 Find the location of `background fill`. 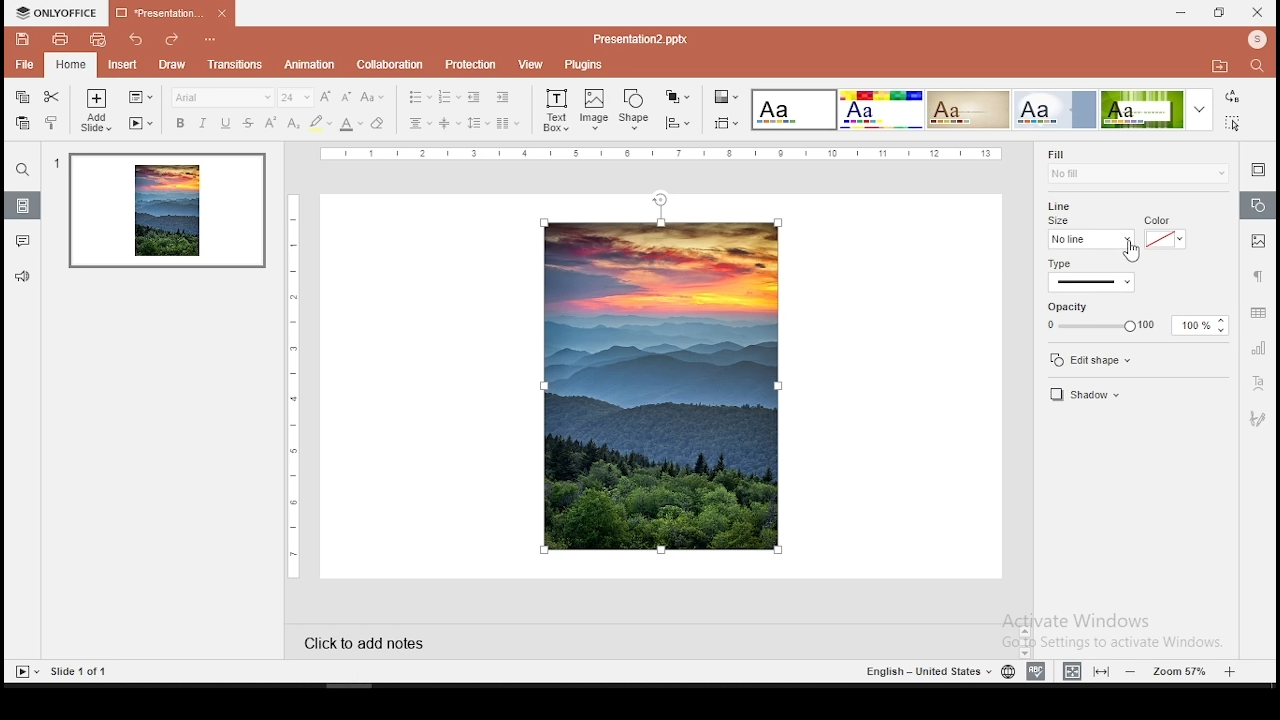

background fill is located at coordinates (1137, 166).